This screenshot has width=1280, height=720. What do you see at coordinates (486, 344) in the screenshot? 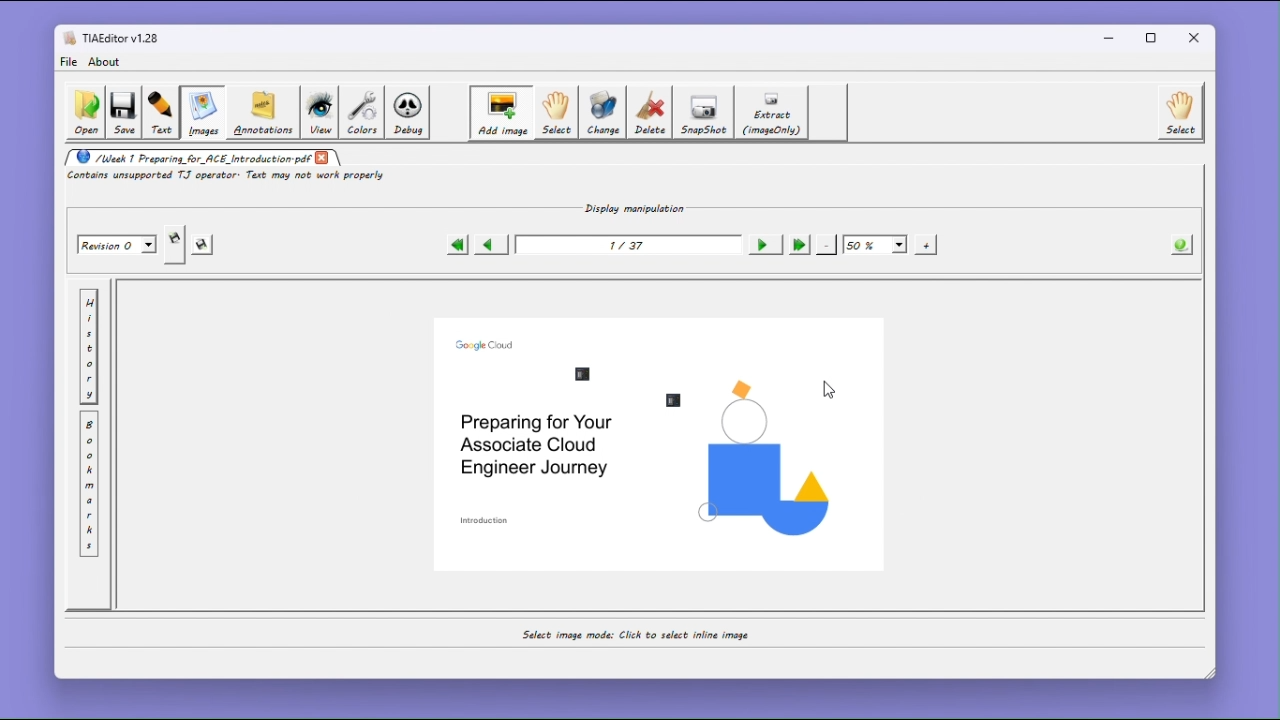
I see `google cloud` at bounding box center [486, 344].